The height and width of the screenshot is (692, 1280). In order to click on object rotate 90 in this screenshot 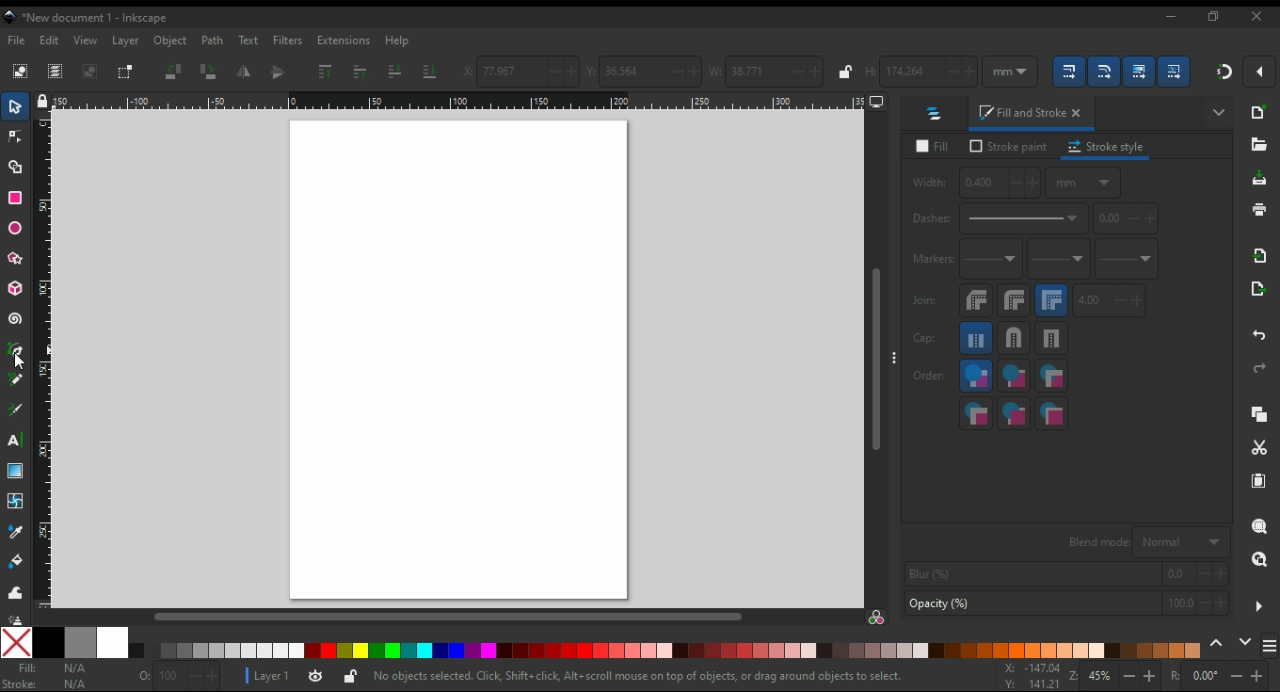, I will do `click(209, 72)`.